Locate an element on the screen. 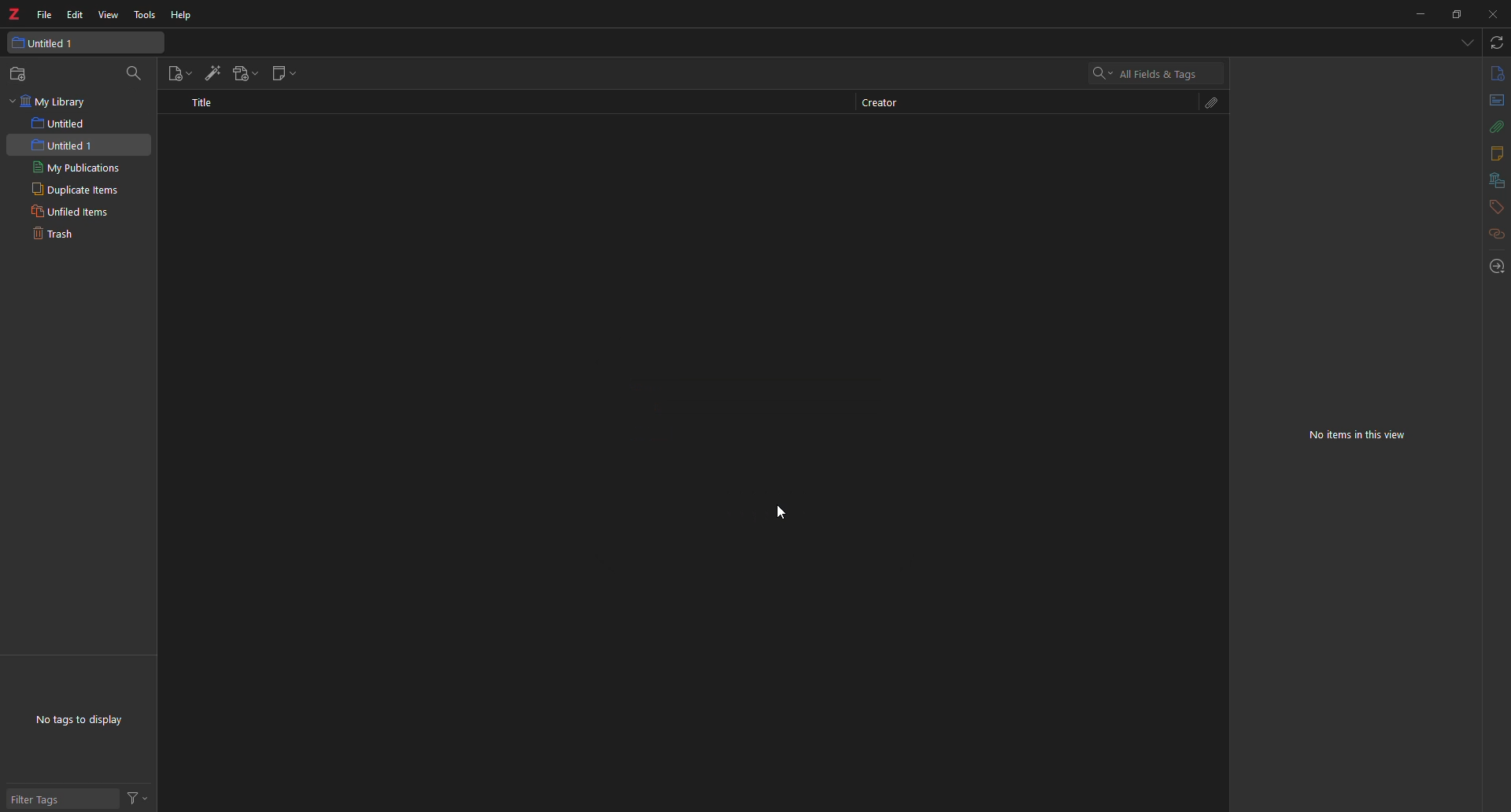 The height and width of the screenshot is (812, 1511). filter tags is located at coordinates (44, 801).